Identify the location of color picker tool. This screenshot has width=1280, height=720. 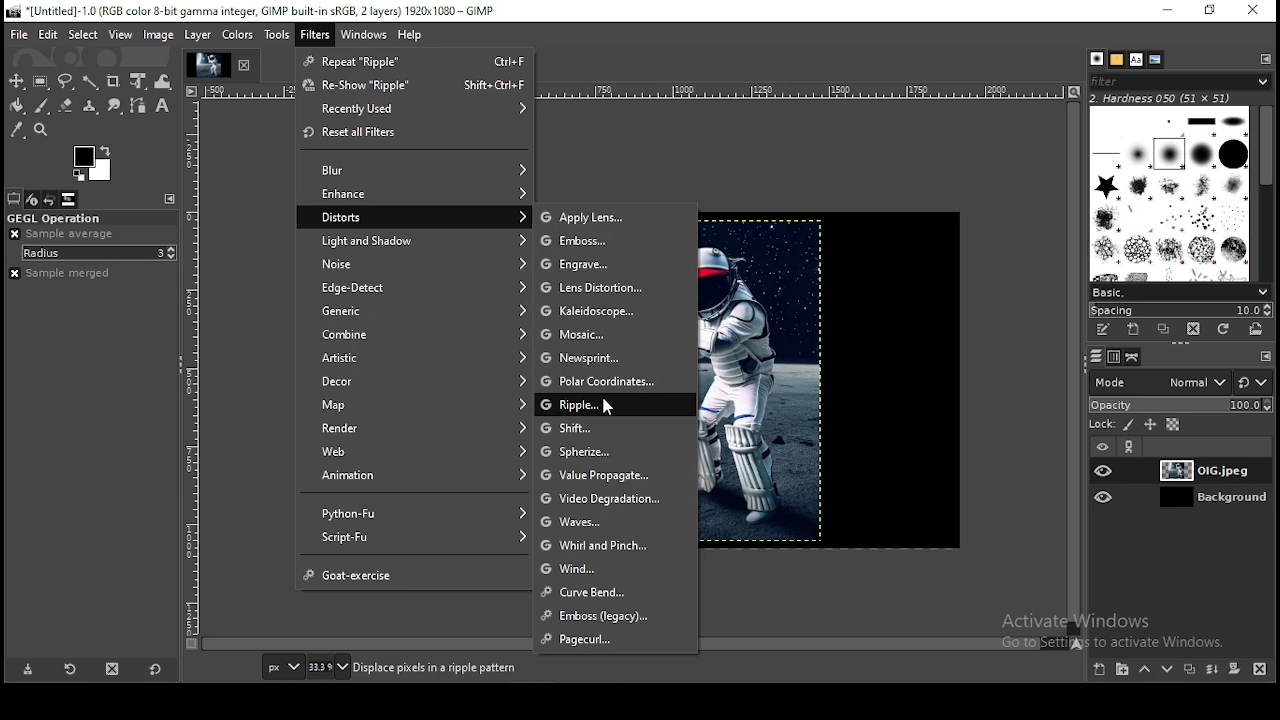
(18, 130).